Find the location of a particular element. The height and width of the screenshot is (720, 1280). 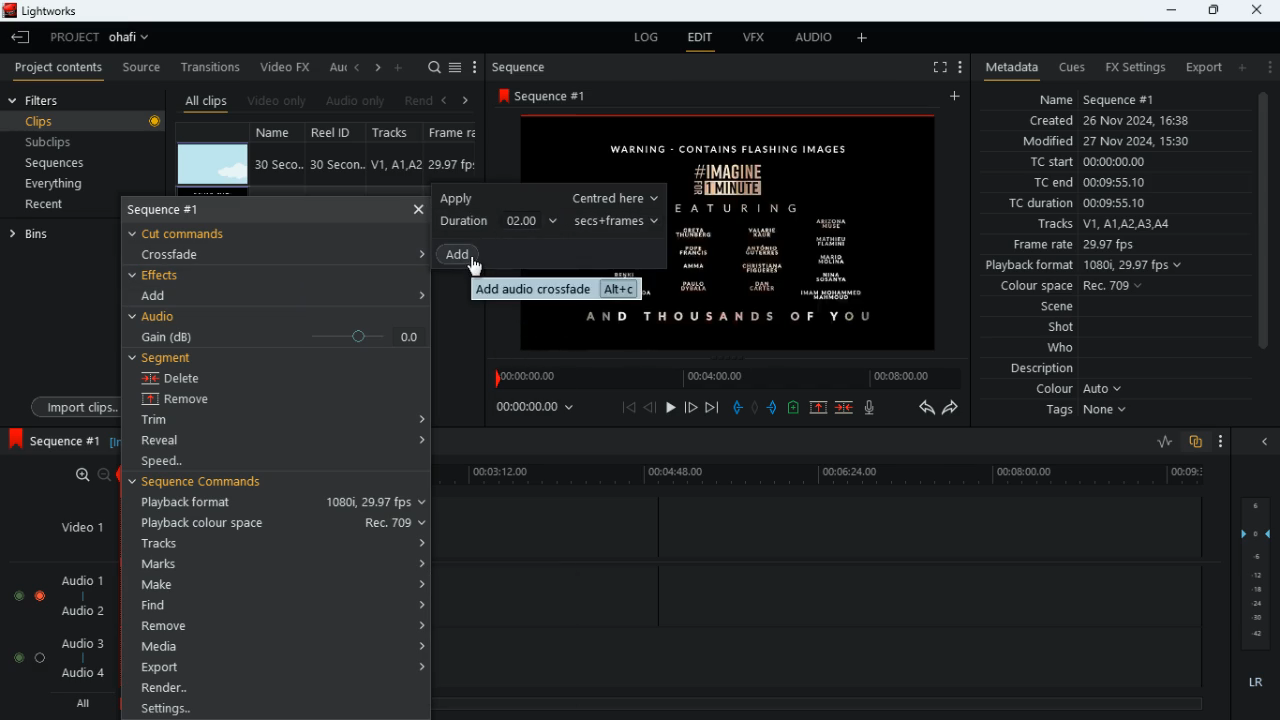

more is located at coordinates (1222, 443).